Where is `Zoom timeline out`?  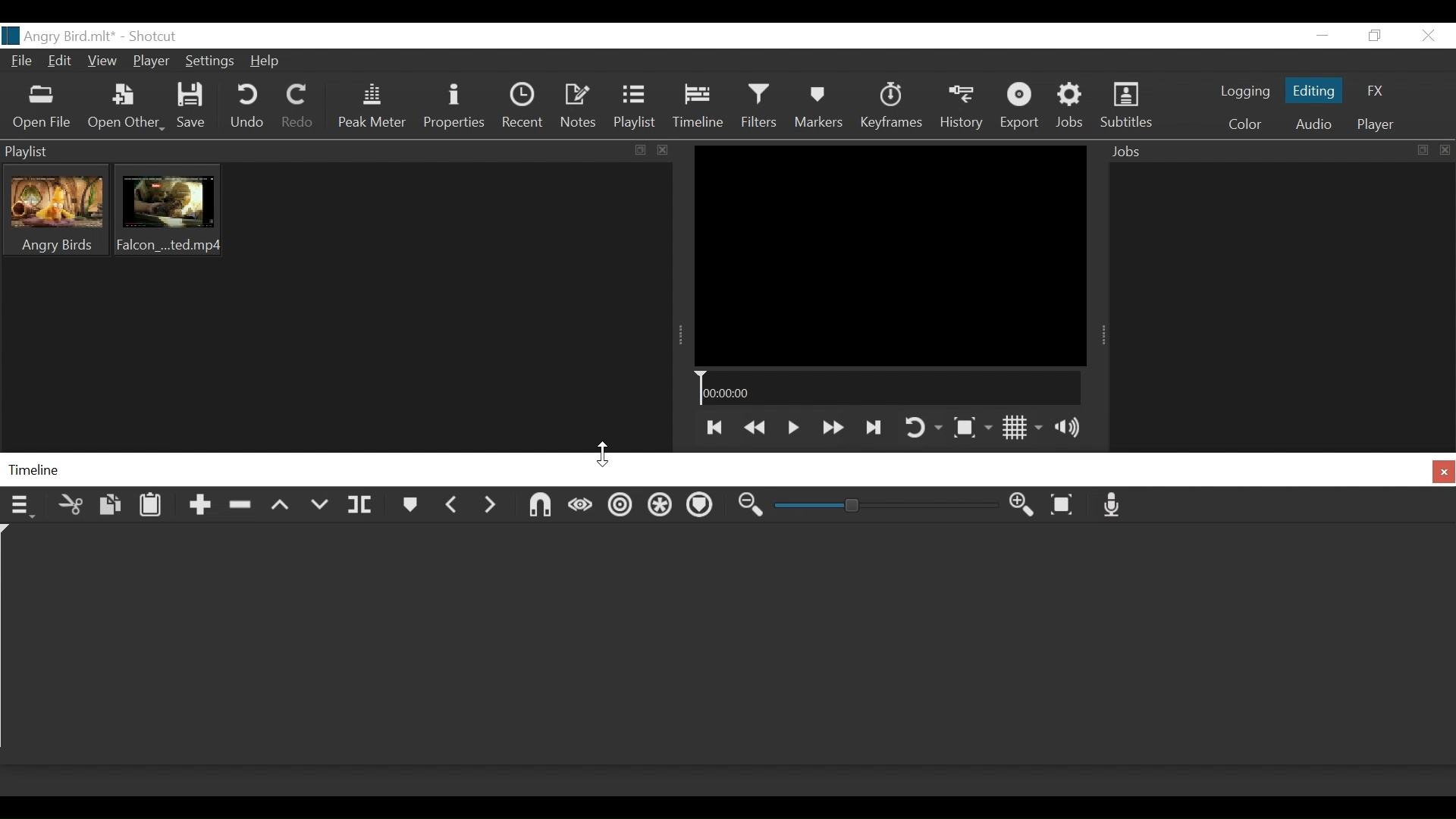 Zoom timeline out is located at coordinates (1023, 507).